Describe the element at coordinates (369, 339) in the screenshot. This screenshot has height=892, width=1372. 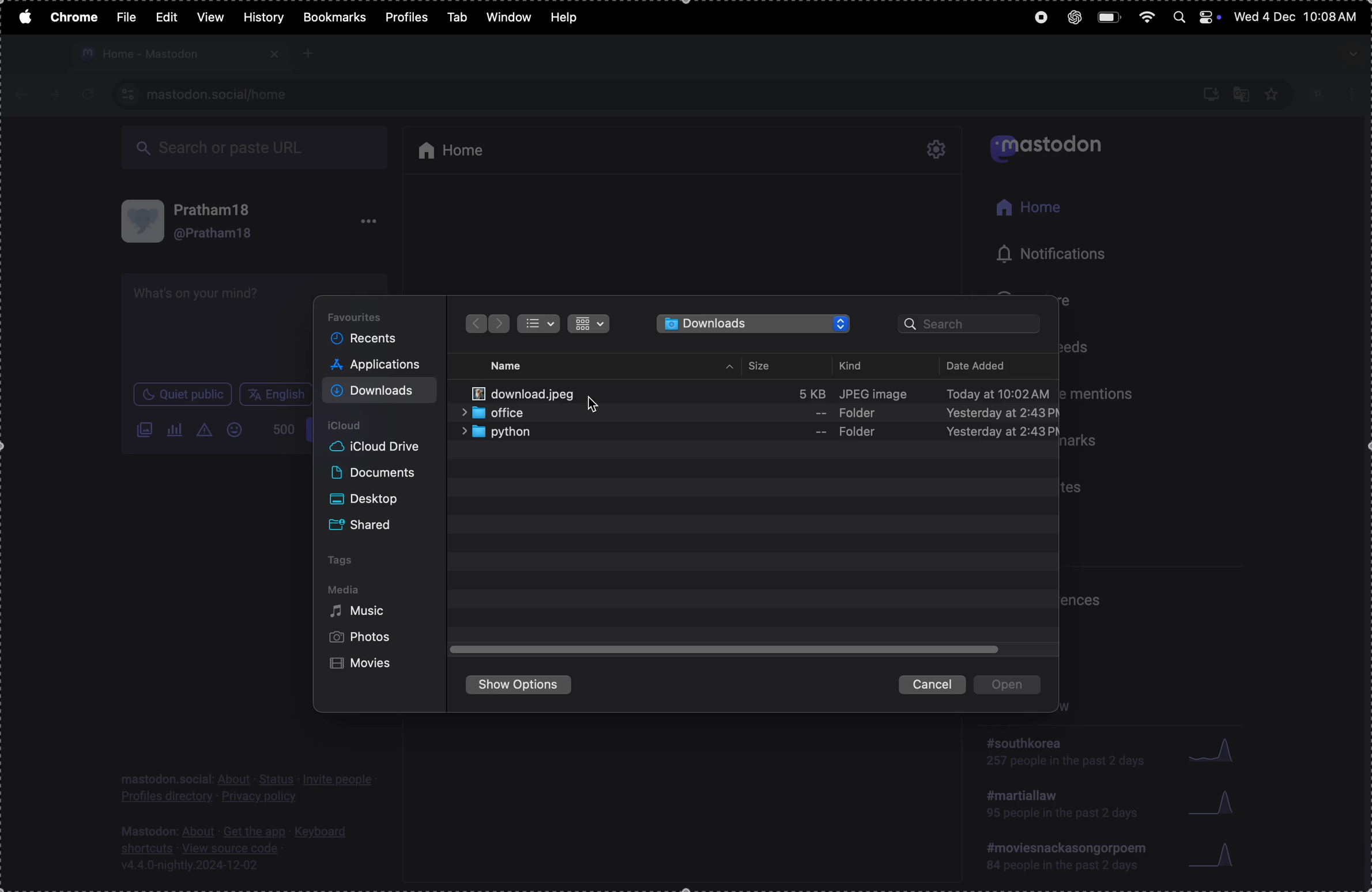
I see `Recent` at that location.